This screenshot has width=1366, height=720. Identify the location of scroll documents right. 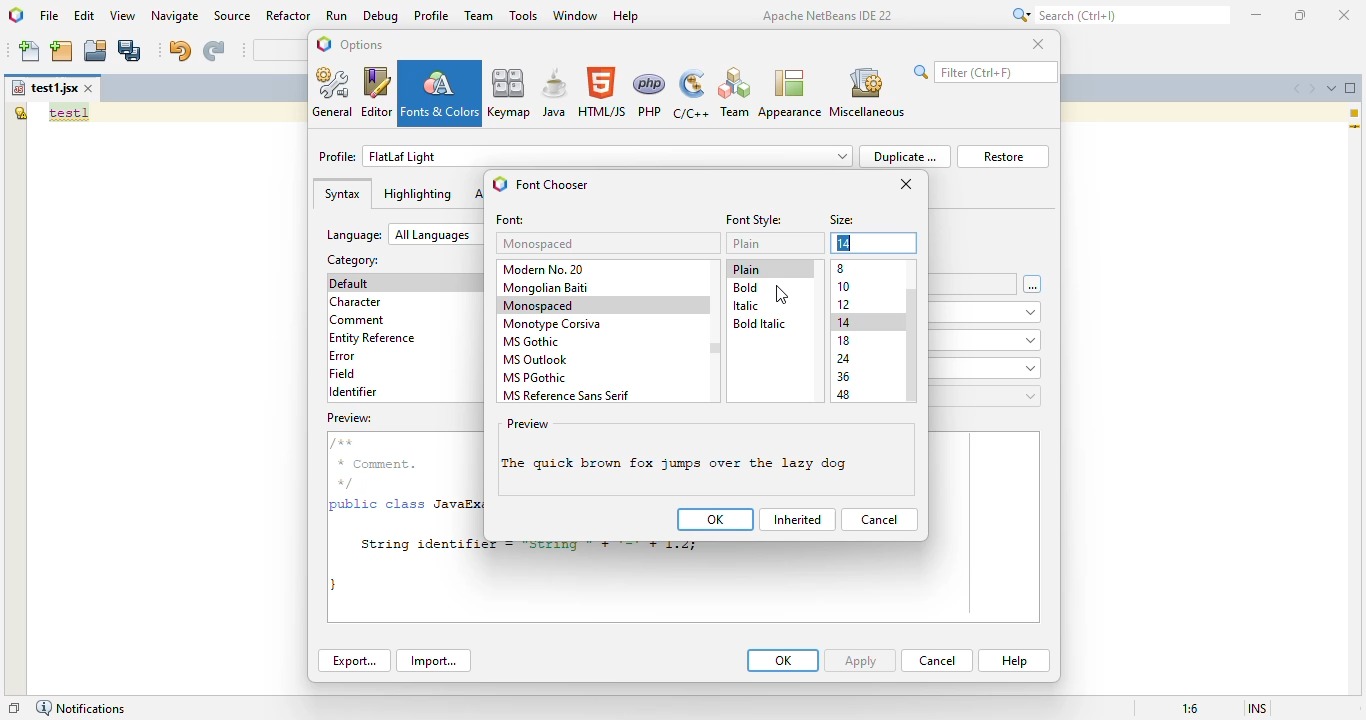
(1313, 88).